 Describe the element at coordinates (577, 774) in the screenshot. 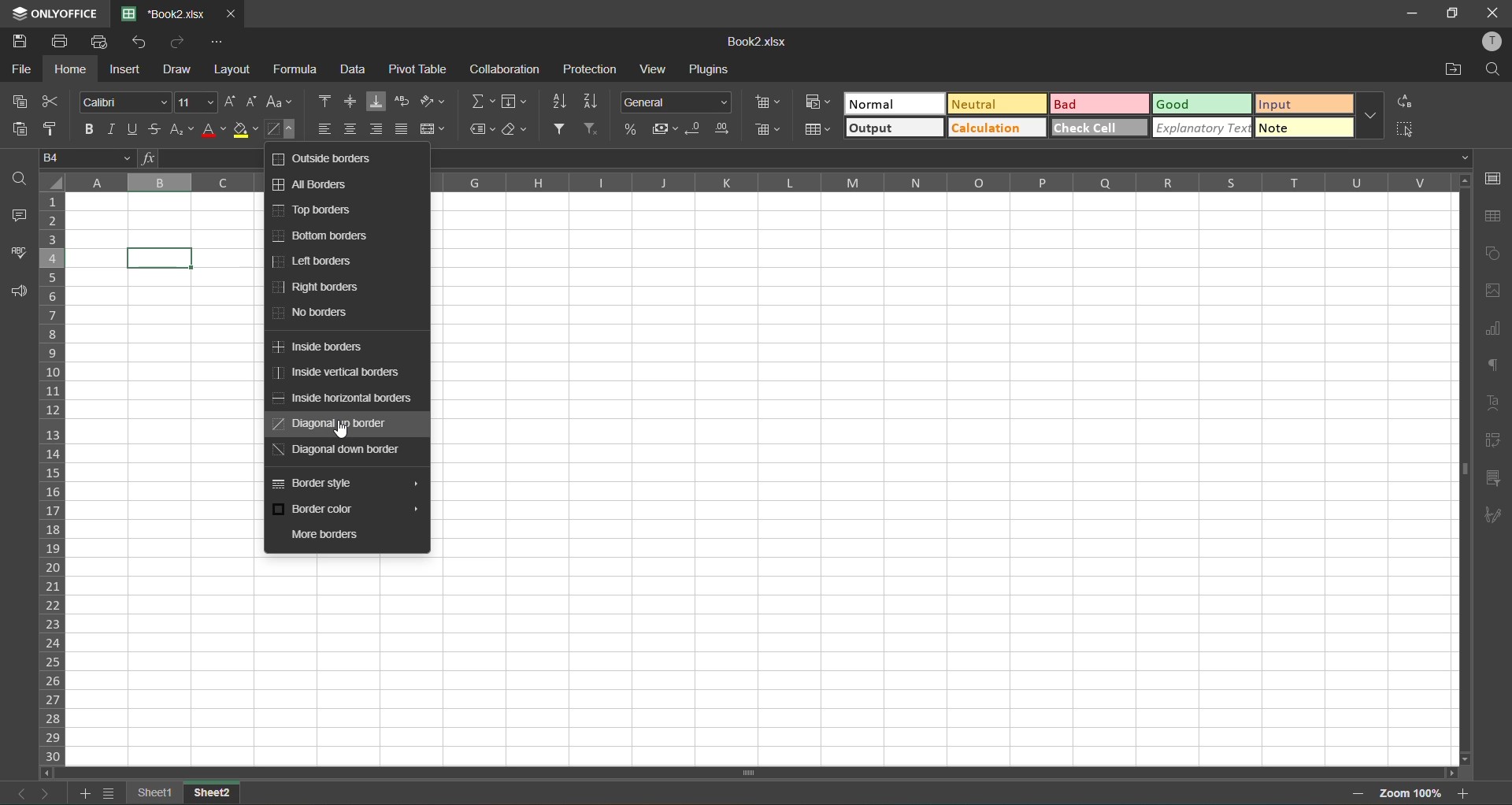

I see `scrollbar` at that location.